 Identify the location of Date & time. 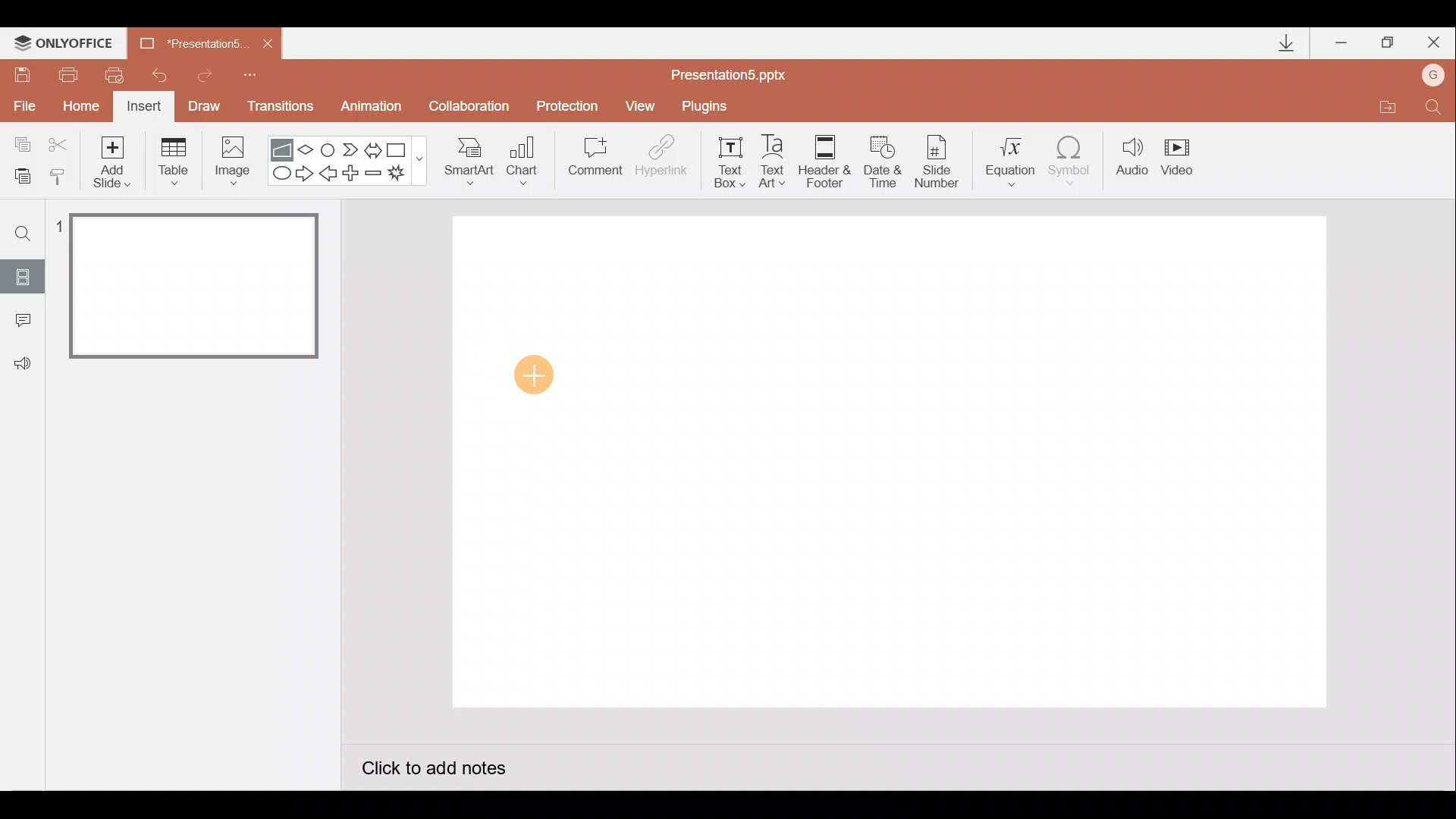
(881, 158).